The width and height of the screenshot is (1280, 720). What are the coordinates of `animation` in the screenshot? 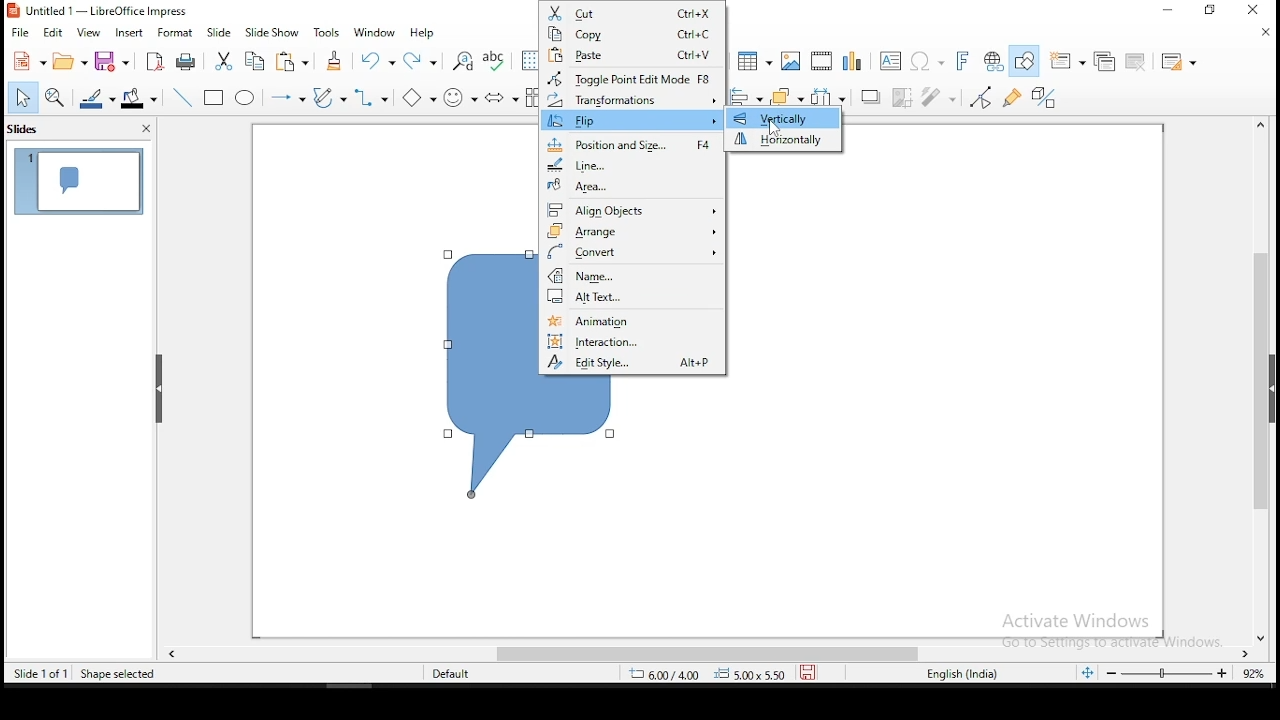 It's located at (632, 318).